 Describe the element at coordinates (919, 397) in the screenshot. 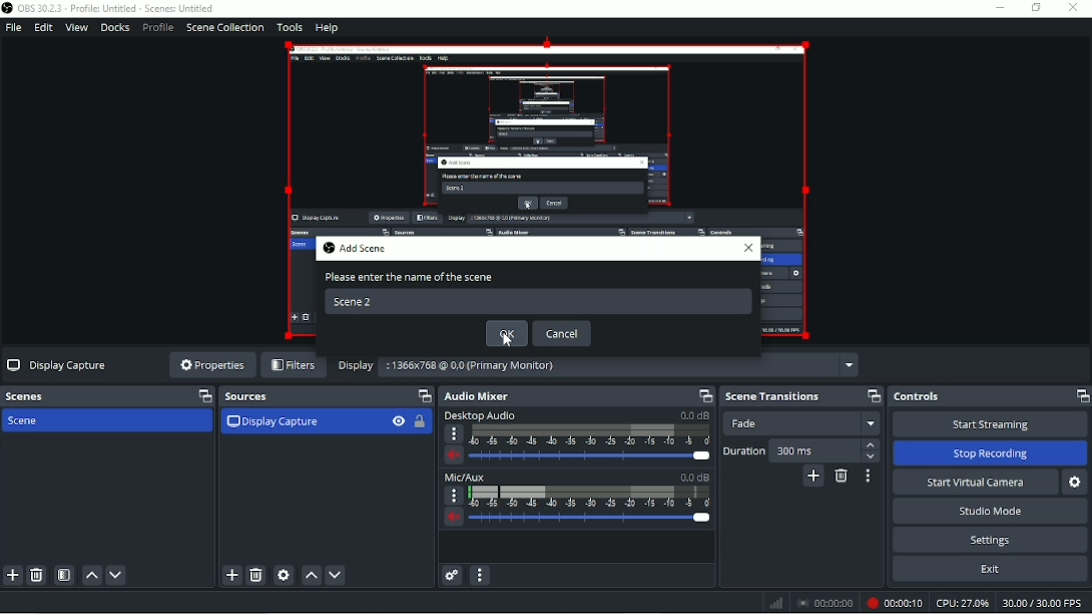

I see `Controls` at that location.